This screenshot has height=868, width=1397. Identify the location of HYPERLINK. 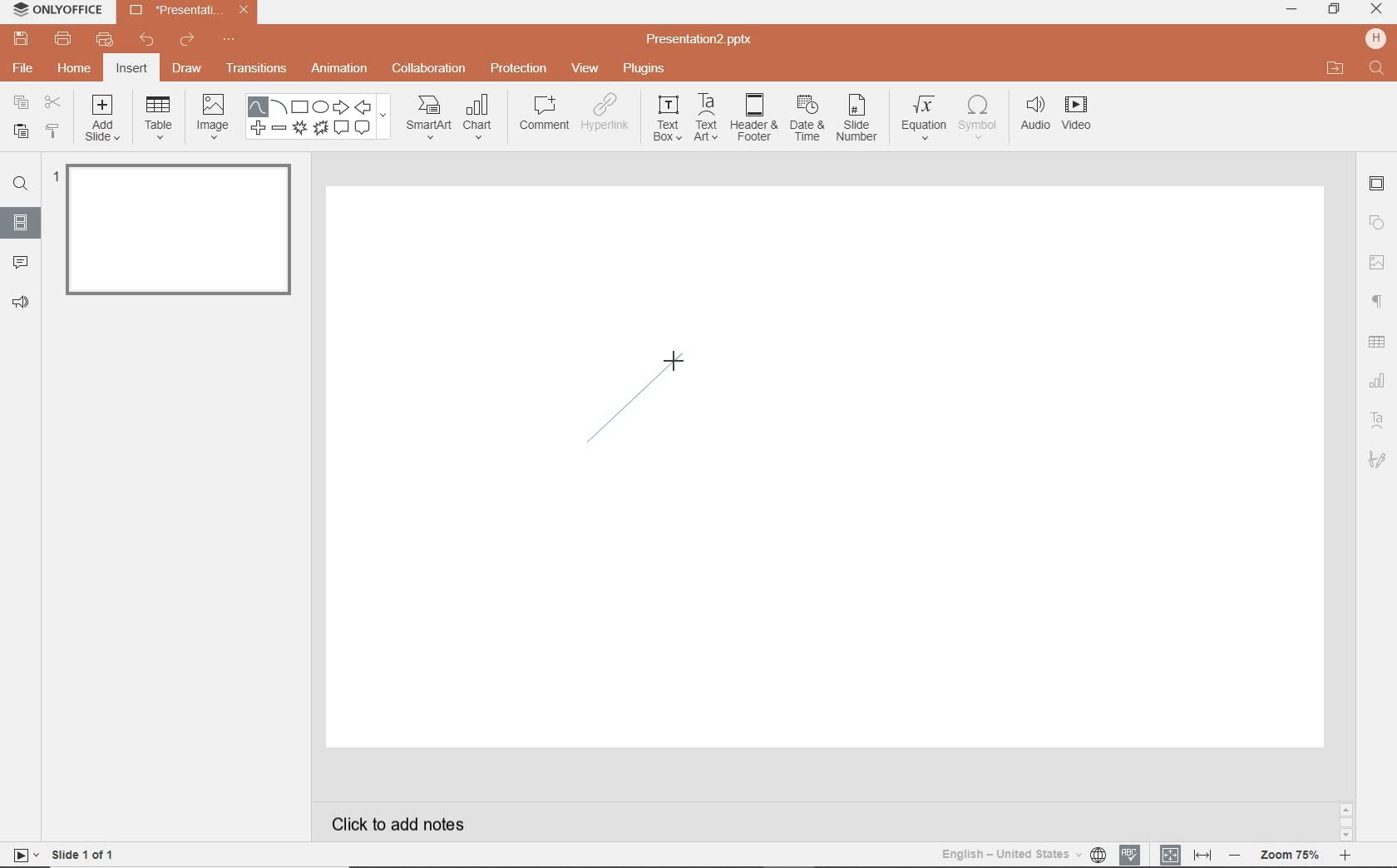
(608, 116).